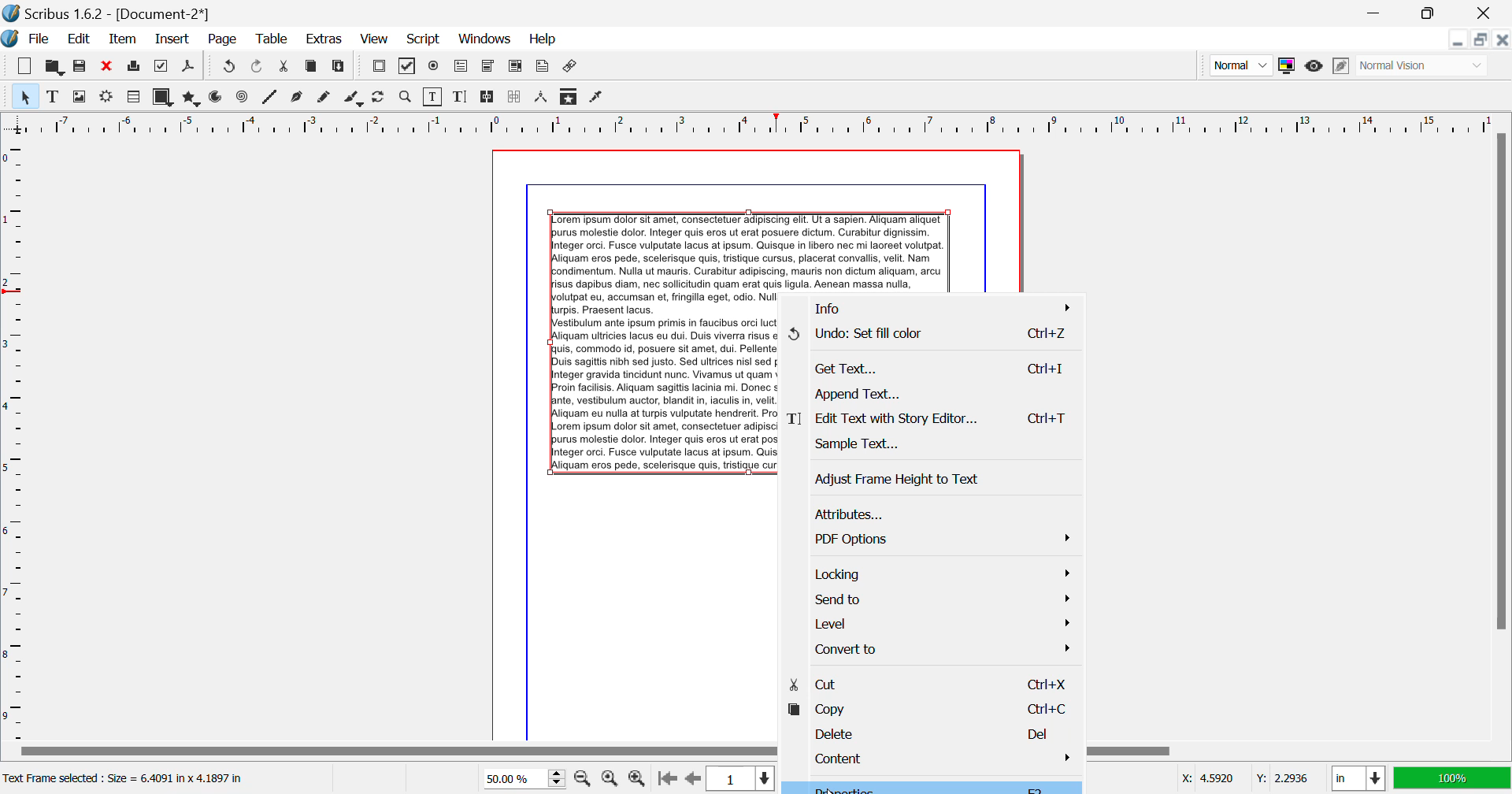 The width and height of the screenshot is (1512, 794). Describe the element at coordinates (382, 98) in the screenshot. I see `Page Rotation` at that location.